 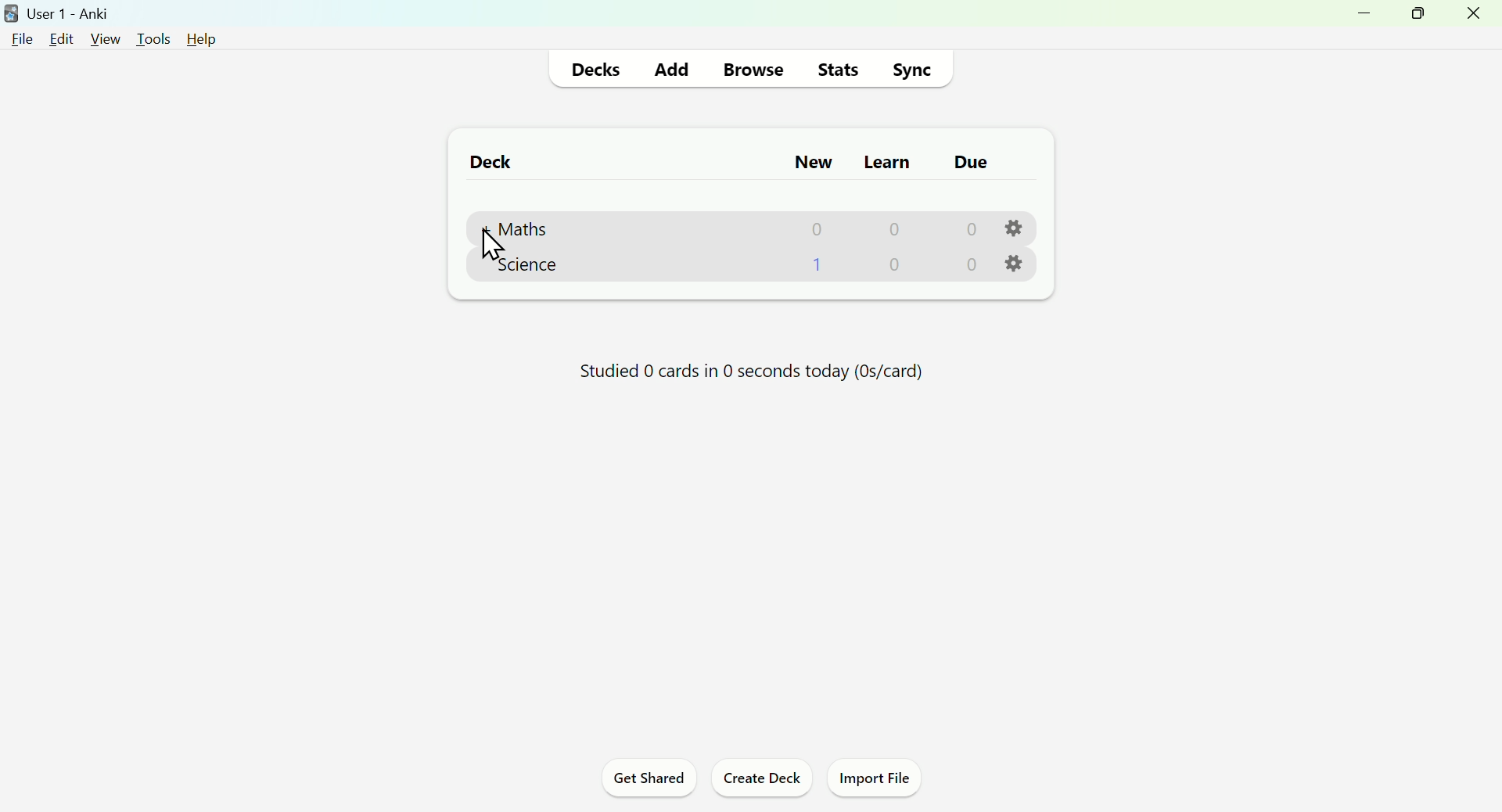 What do you see at coordinates (196, 38) in the screenshot?
I see `Help` at bounding box center [196, 38].